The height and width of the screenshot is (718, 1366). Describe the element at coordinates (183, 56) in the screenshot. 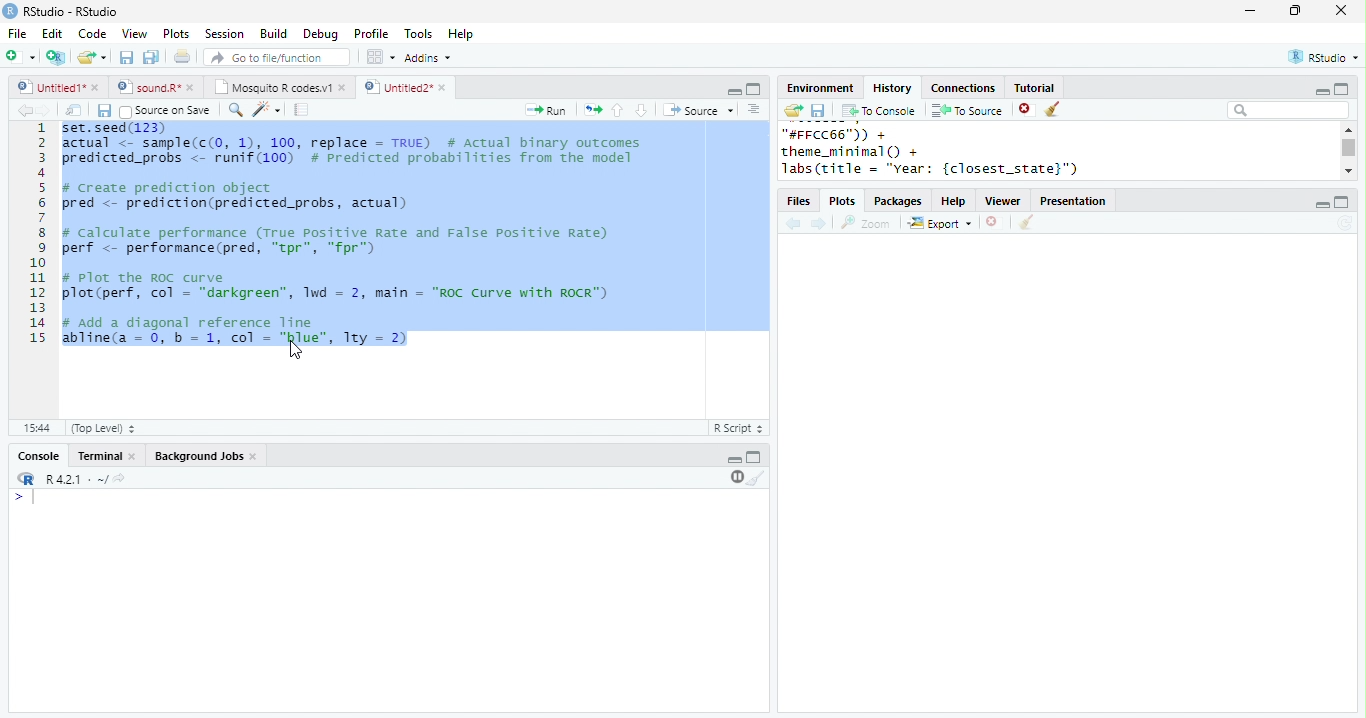

I see `print` at that location.